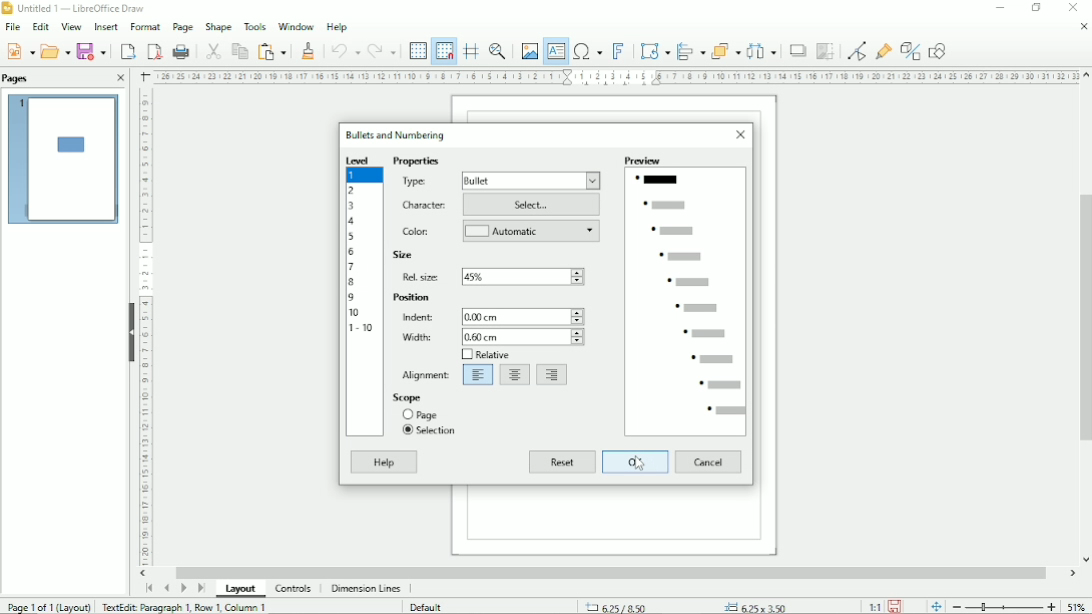 The image size is (1092, 614). What do you see at coordinates (911, 50) in the screenshot?
I see `Toggle extrusion` at bounding box center [911, 50].